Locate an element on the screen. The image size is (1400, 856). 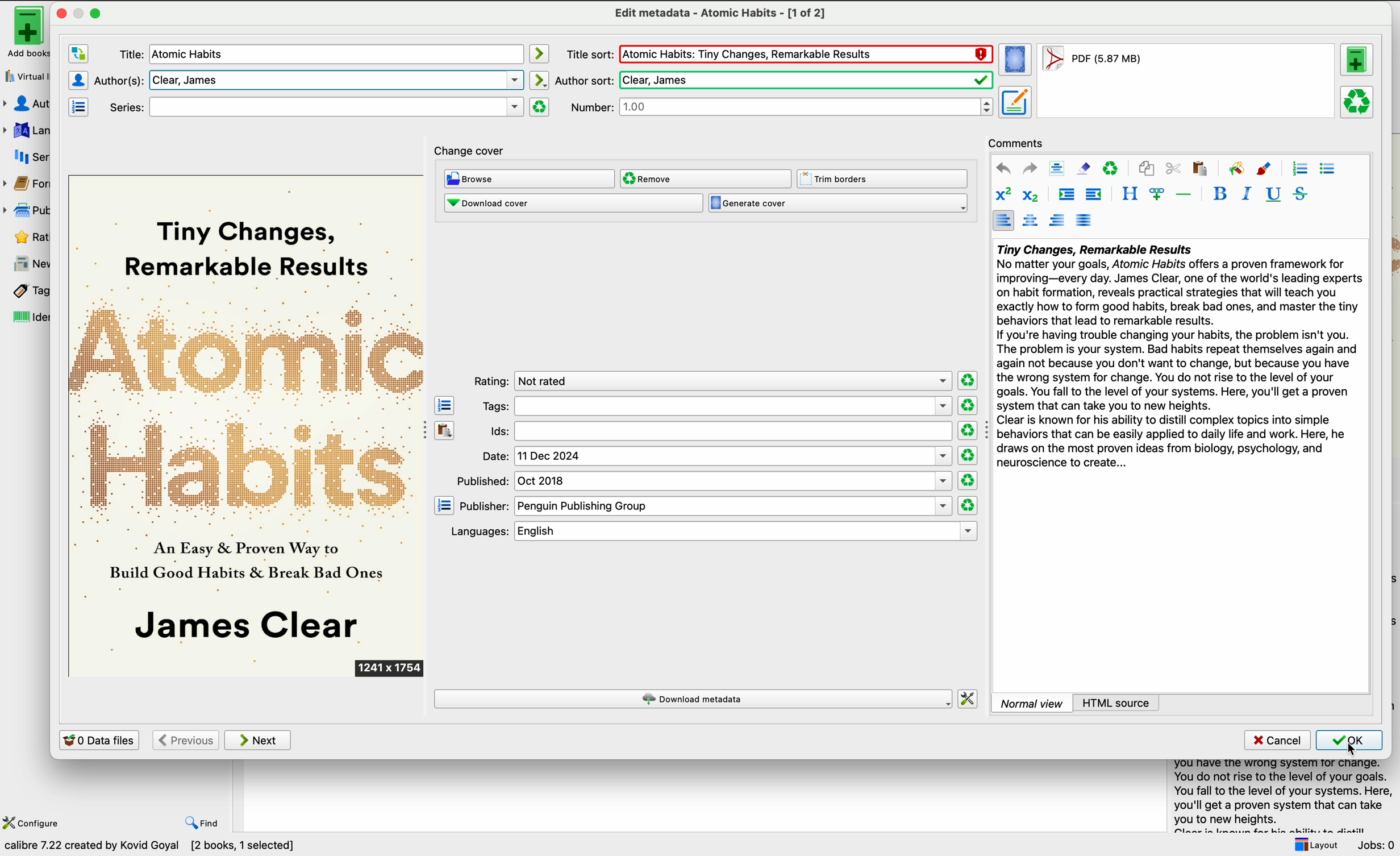
remove is located at coordinates (706, 179).